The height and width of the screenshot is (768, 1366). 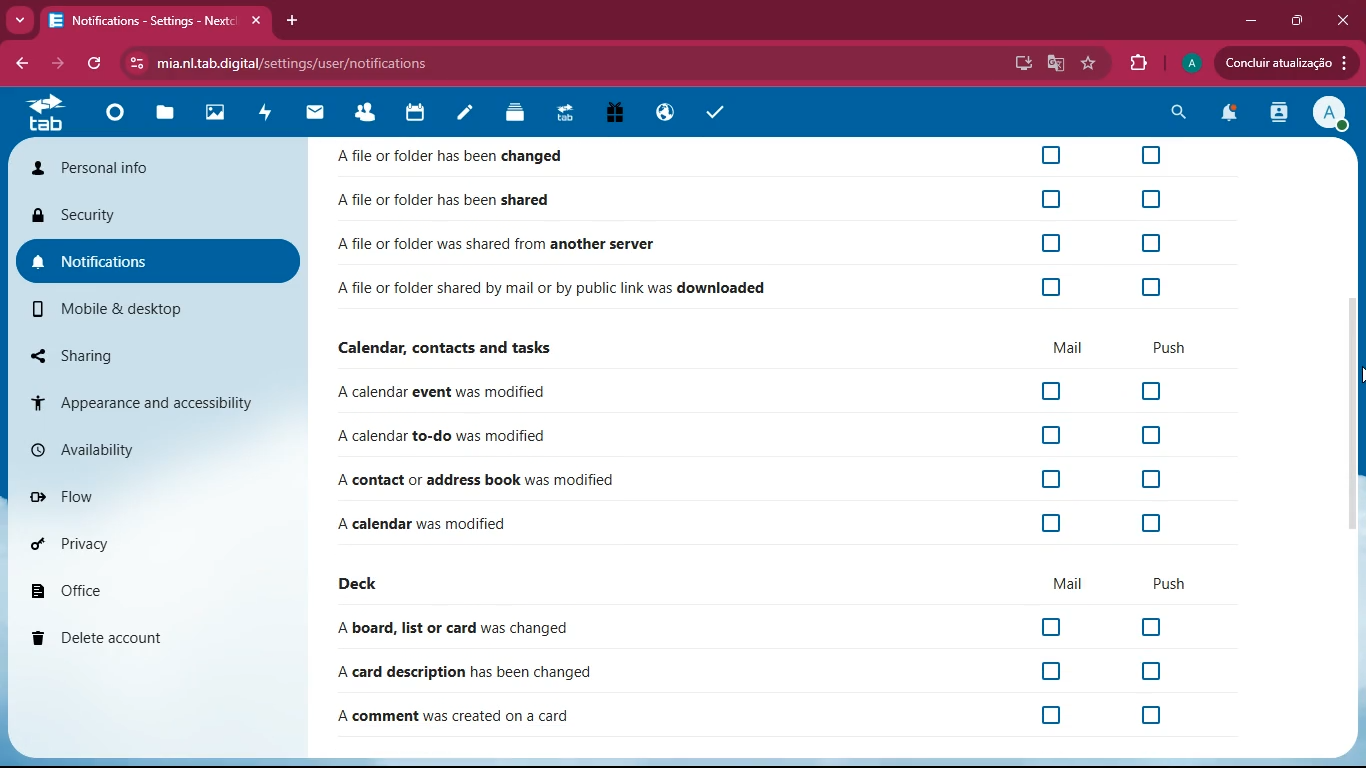 What do you see at coordinates (617, 114) in the screenshot?
I see `gift` at bounding box center [617, 114].